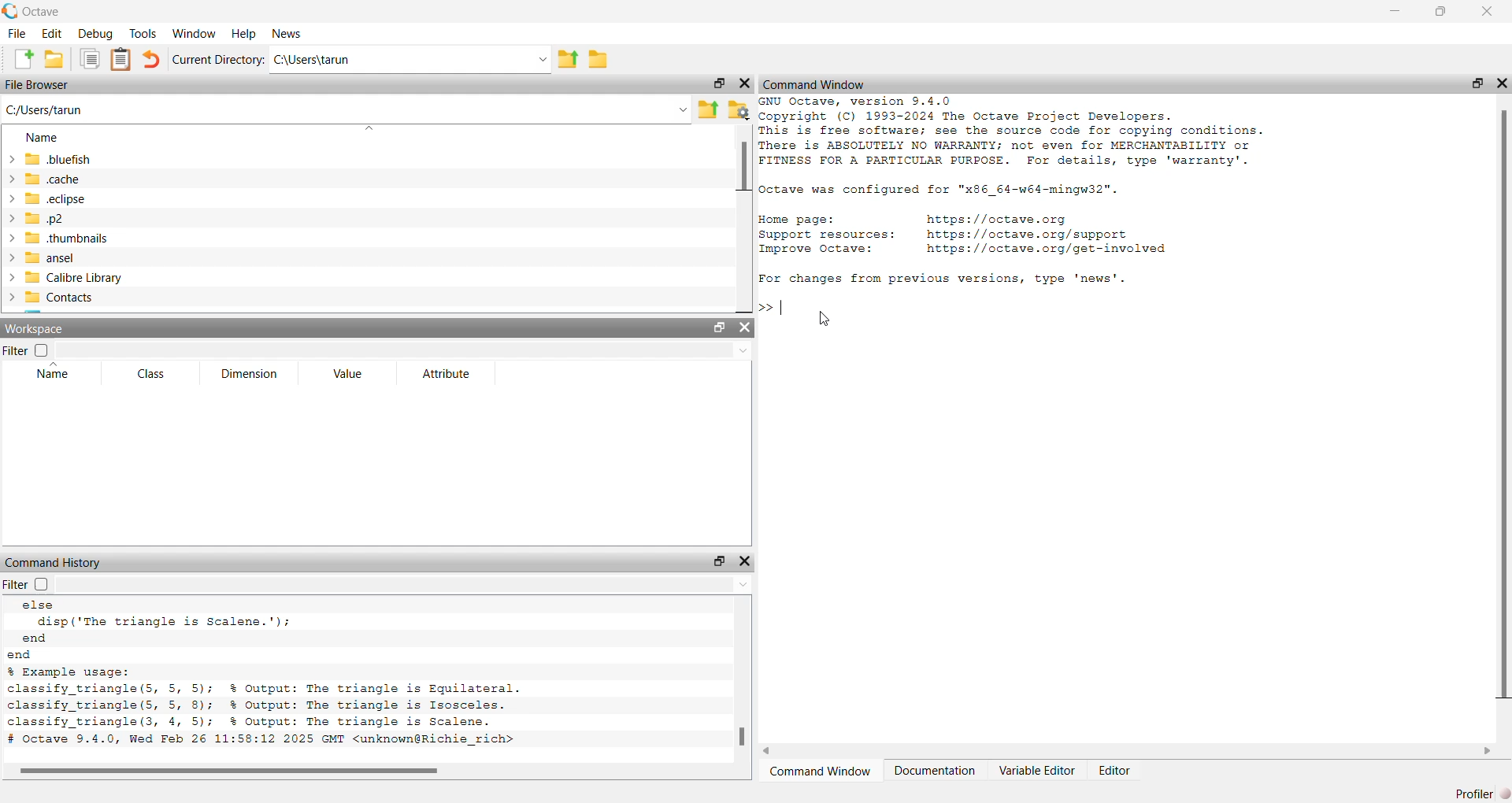  Describe the element at coordinates (67, 278) in the screenshot. I see `calibre library` at that location.